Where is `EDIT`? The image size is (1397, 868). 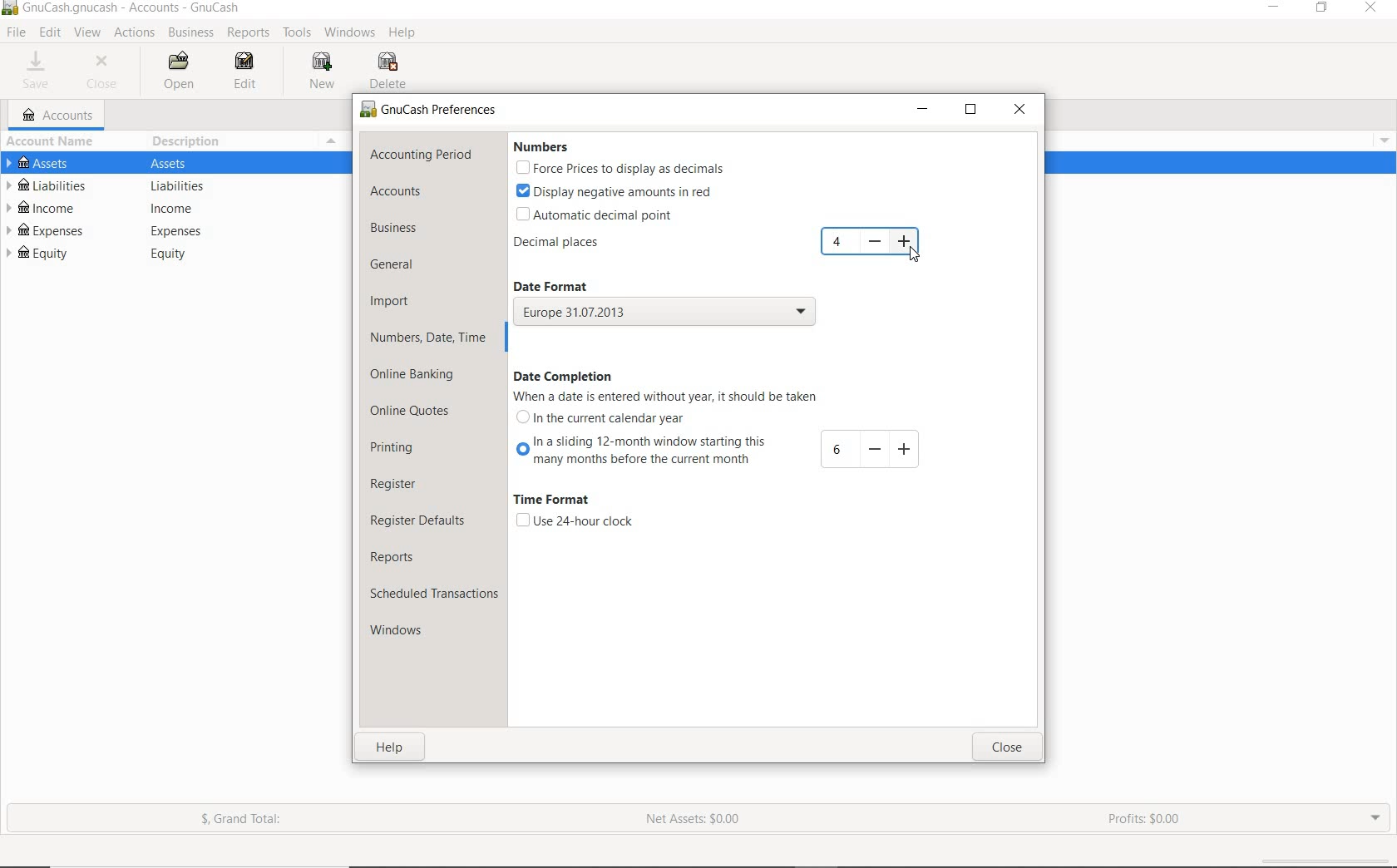
EDIT is located at coordinates (250, 73).